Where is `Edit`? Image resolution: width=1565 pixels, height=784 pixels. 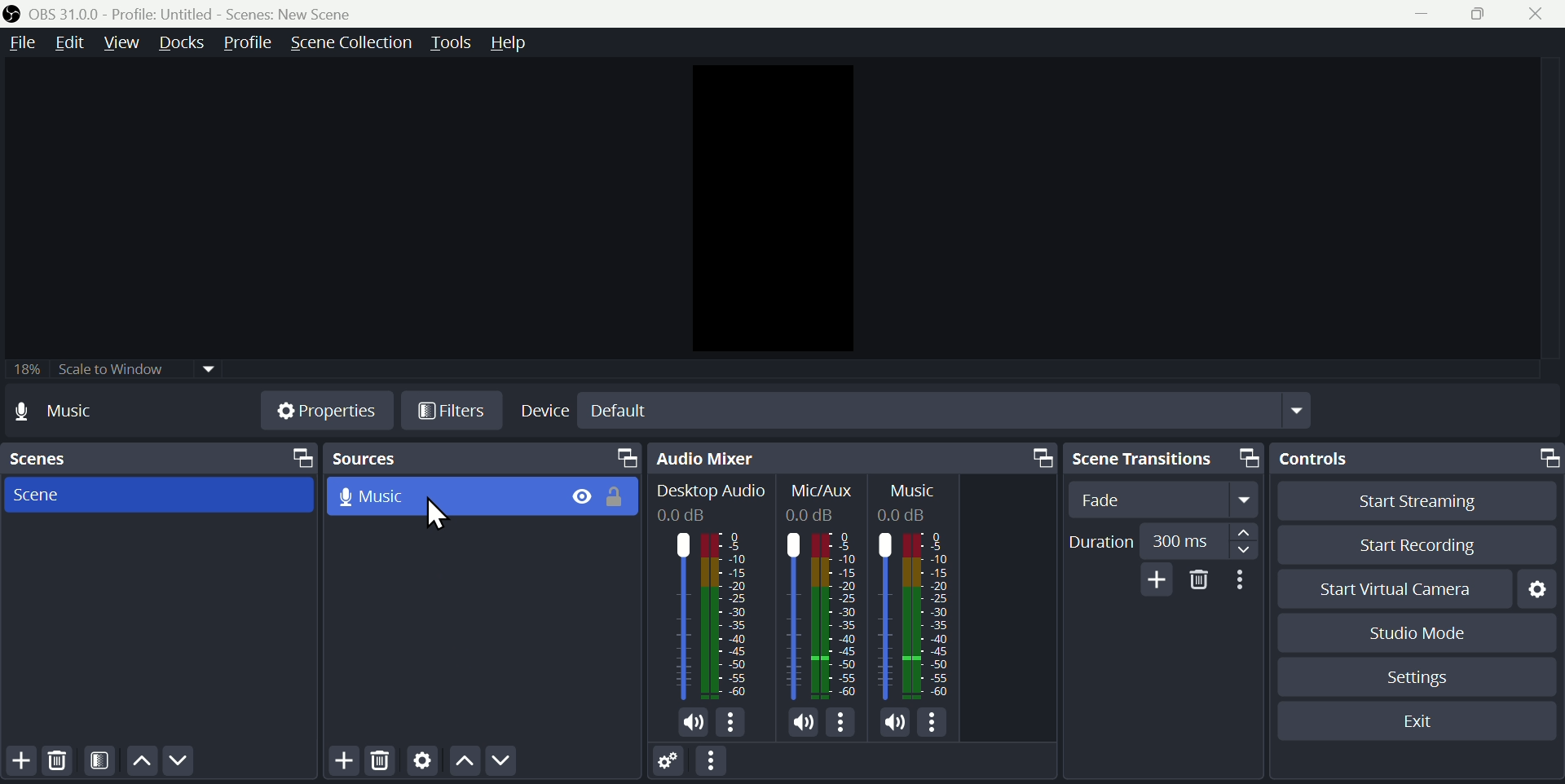 Edit is located at coordinates (73, 41).